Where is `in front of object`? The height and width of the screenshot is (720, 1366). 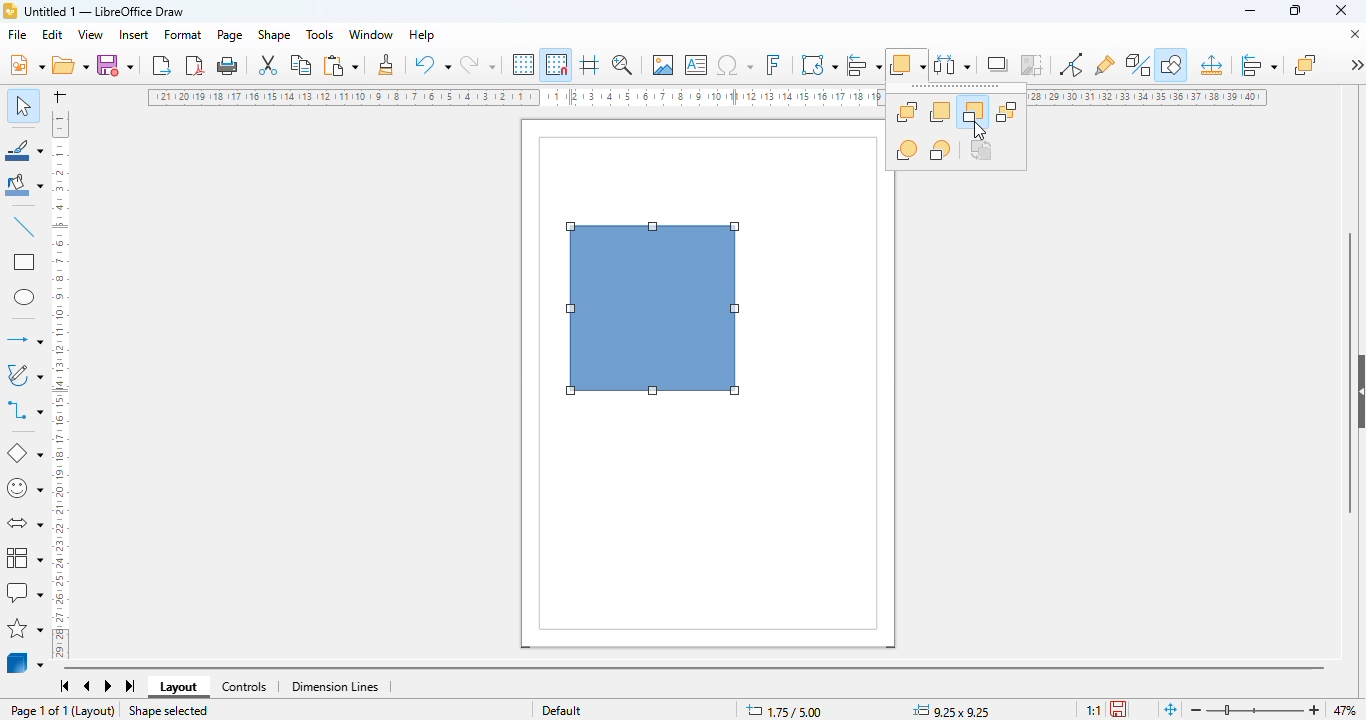 in front of object is located at coordinates (907, 150).